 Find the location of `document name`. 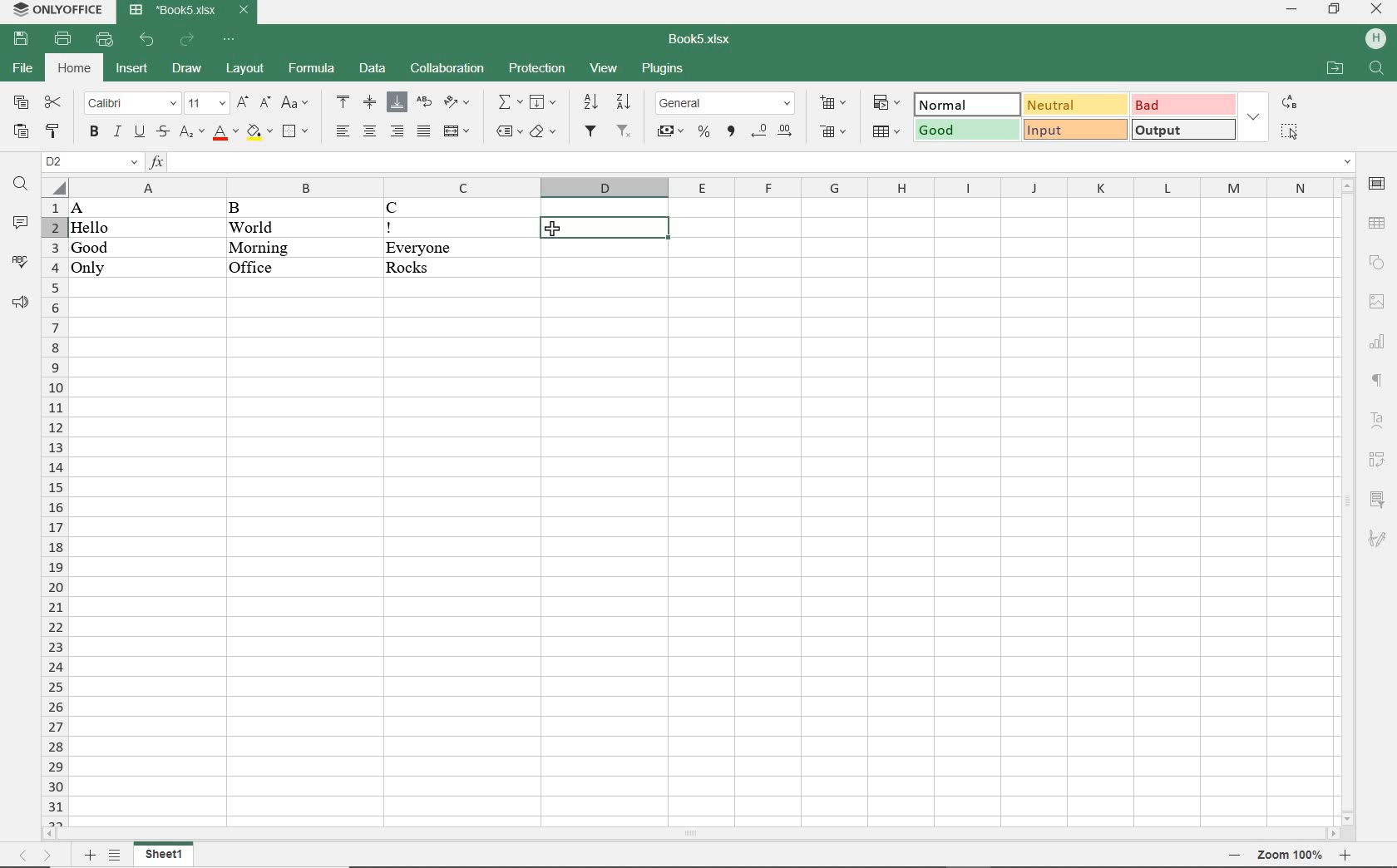

document name is located at coordinates (696, 40).